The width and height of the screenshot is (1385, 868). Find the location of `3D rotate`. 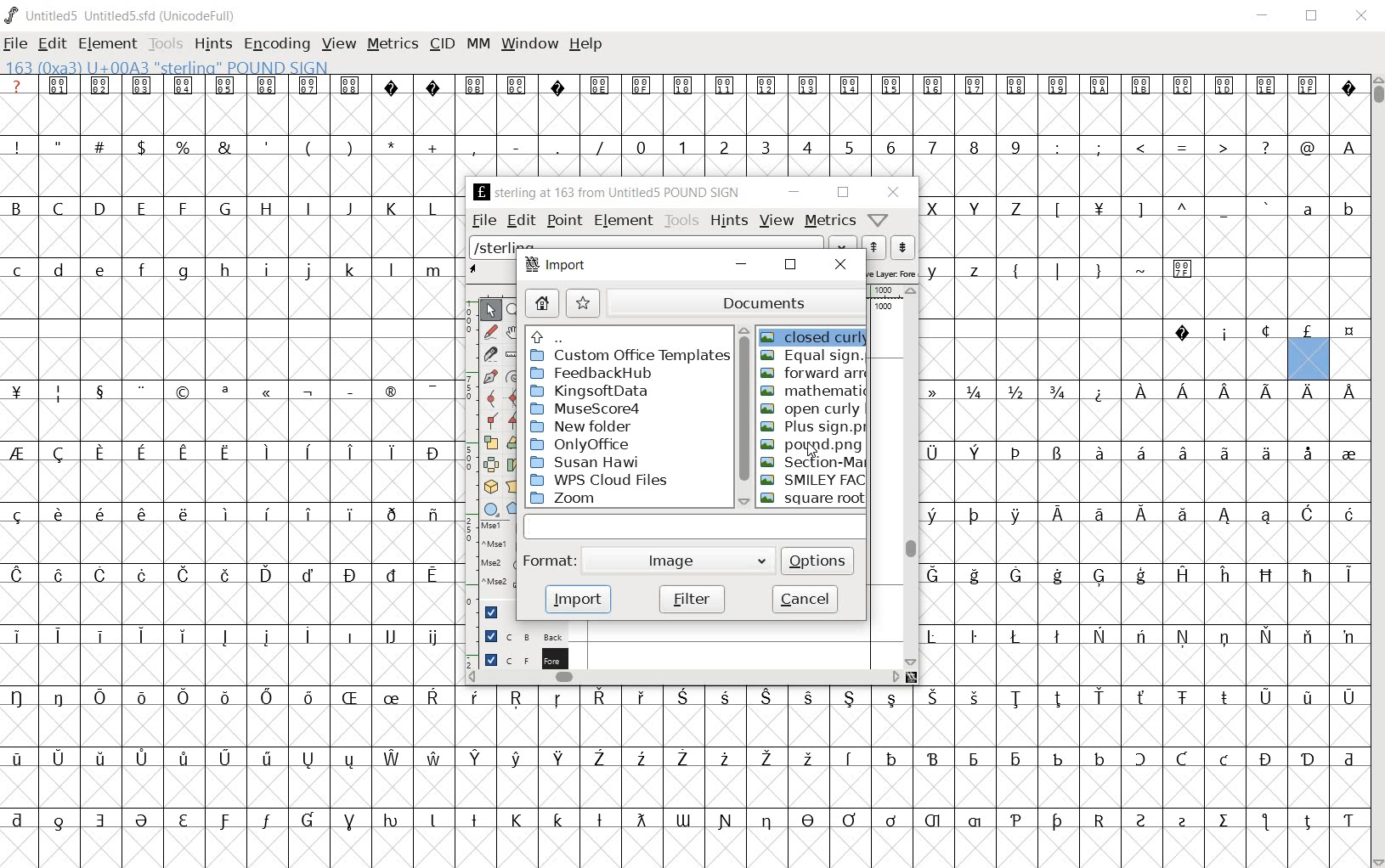

3D rotate is located at coordinates (493, 483).